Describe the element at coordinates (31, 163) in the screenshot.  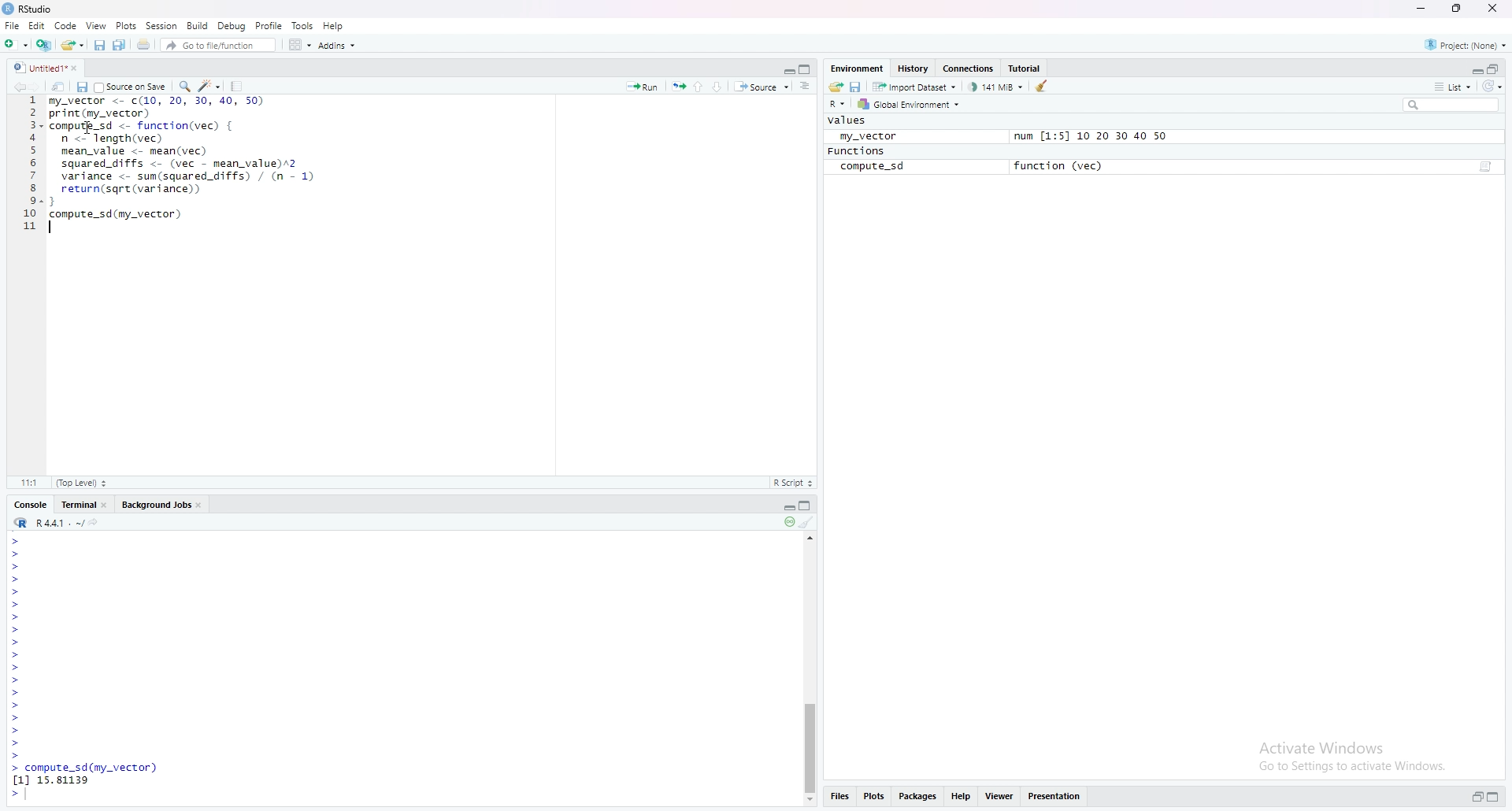
I see `1 2 3 4 5 6 7 8 9 10 11` at that location.